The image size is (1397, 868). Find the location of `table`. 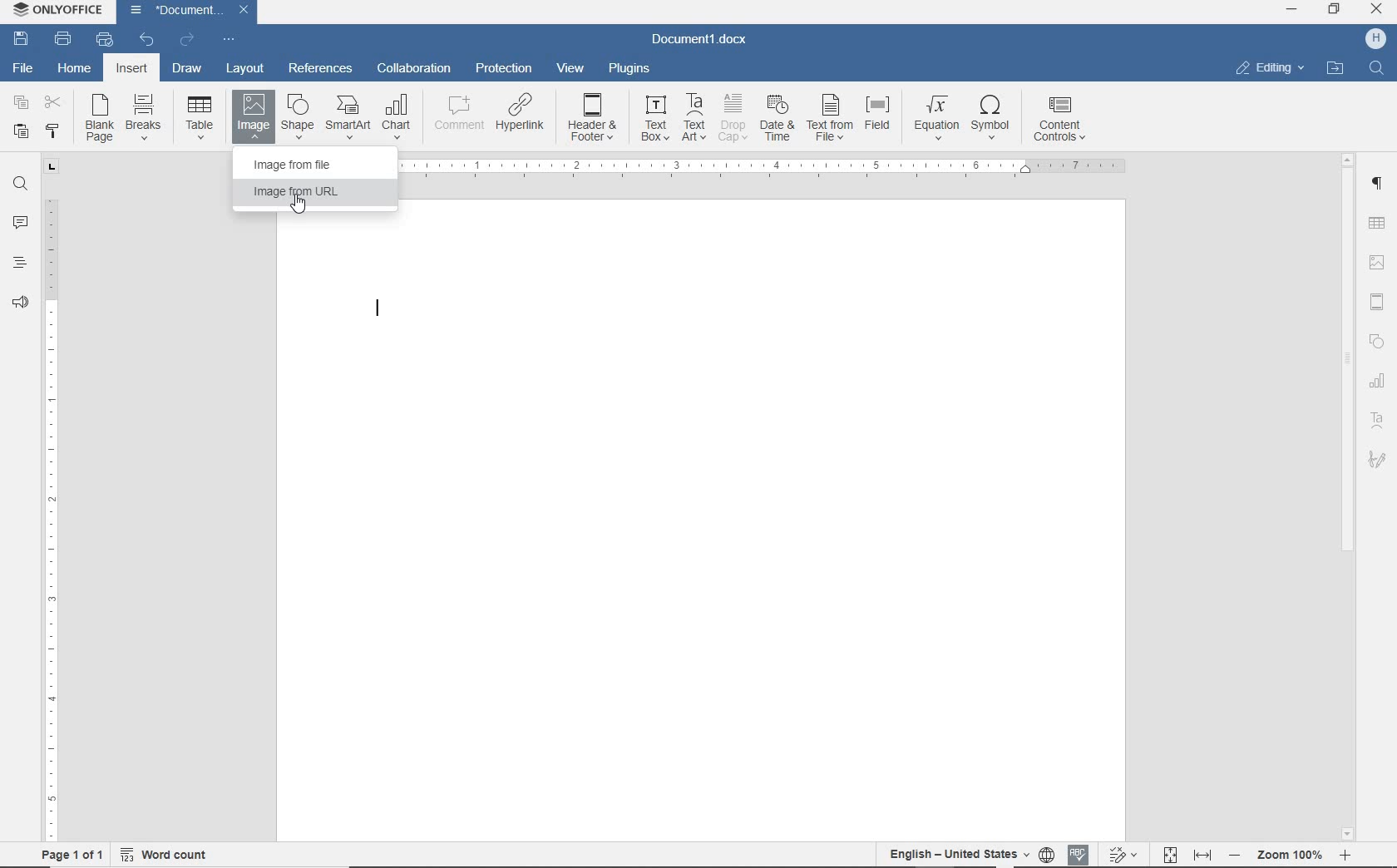

table is located at coordinates (1380, 221).